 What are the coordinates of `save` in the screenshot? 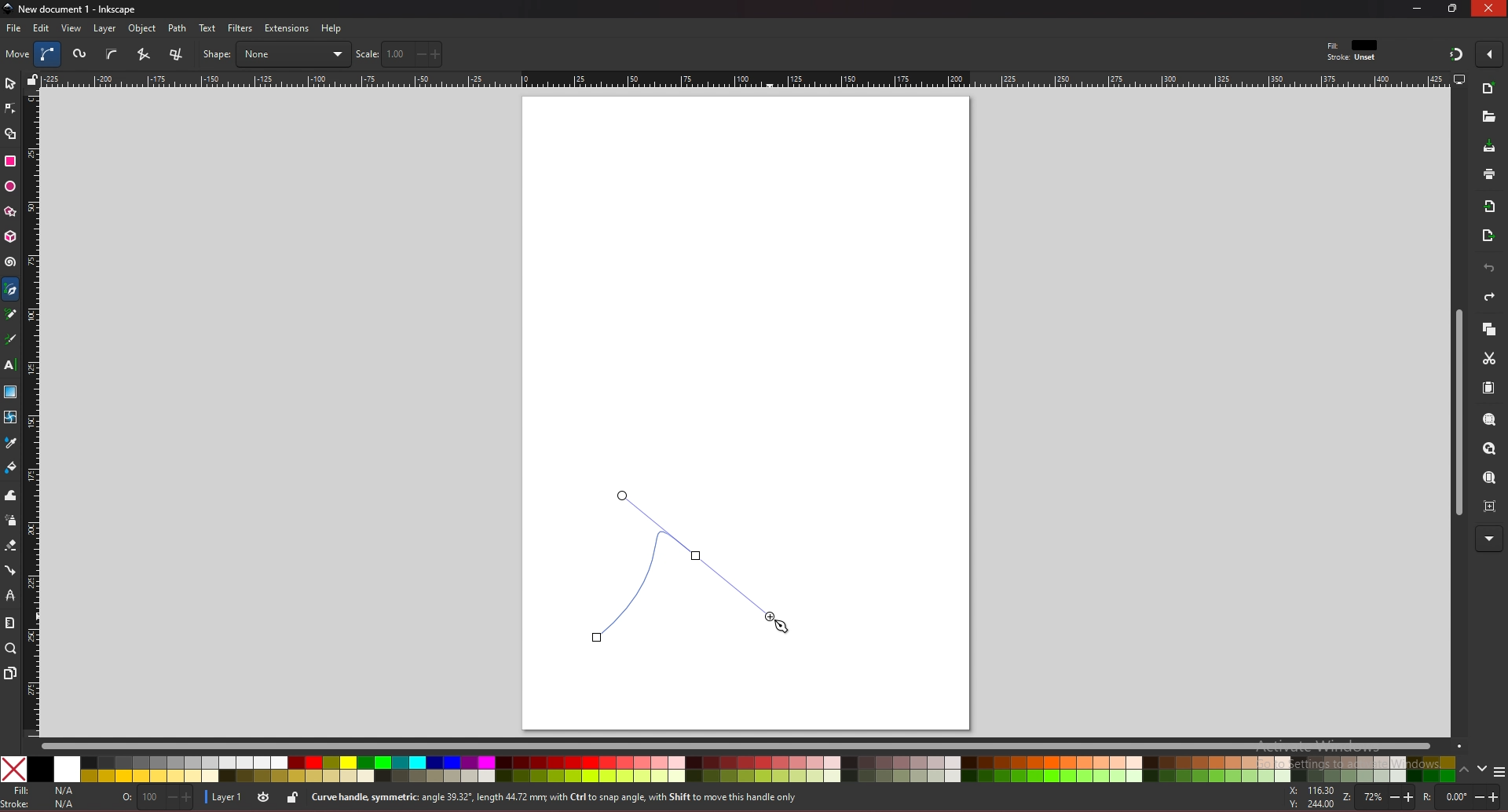 It's located at (1490, 148).